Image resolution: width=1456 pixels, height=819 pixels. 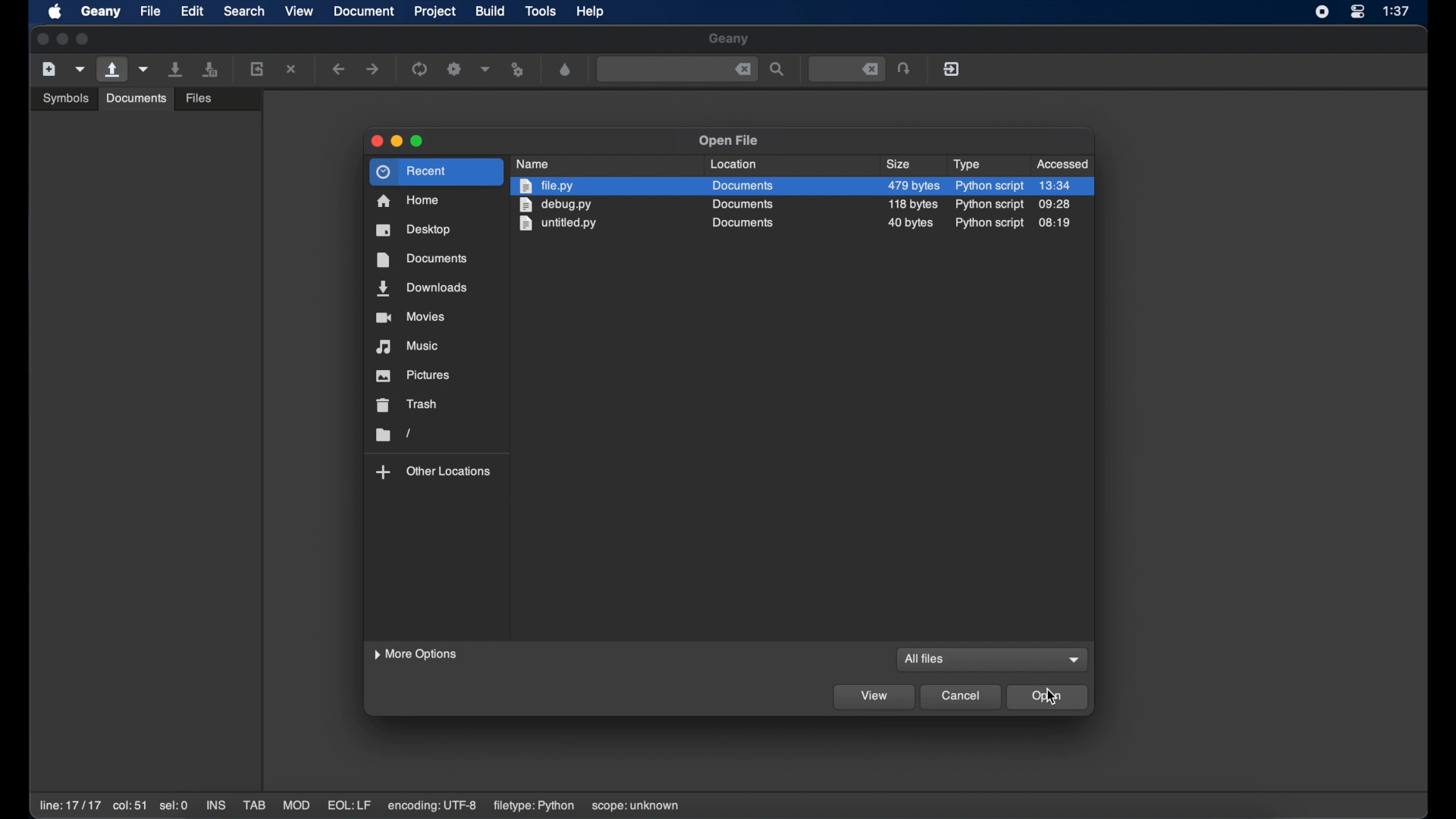 I want to click on navigate back a location, so click(x=340, y=69).